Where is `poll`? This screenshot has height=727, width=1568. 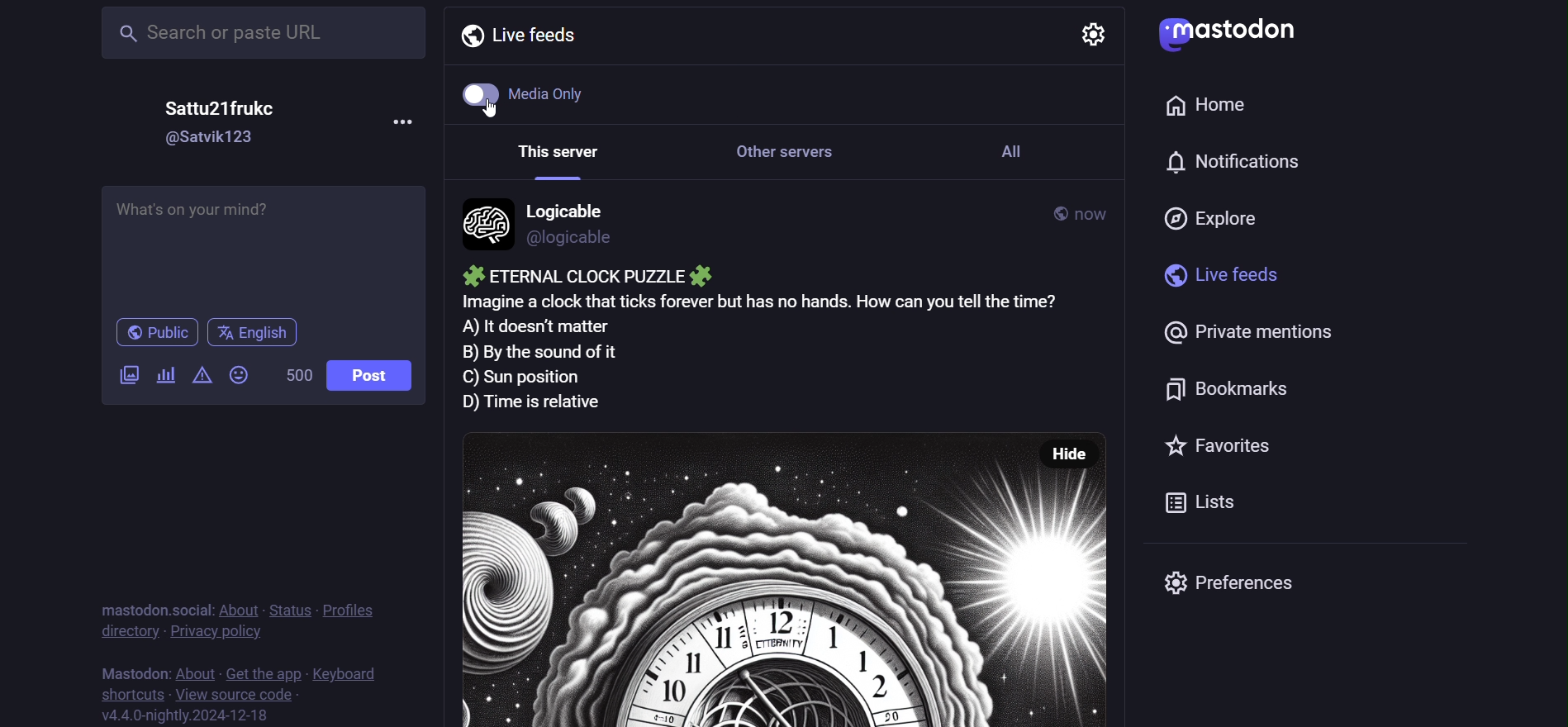 poll is located at coordinates (167, 373).